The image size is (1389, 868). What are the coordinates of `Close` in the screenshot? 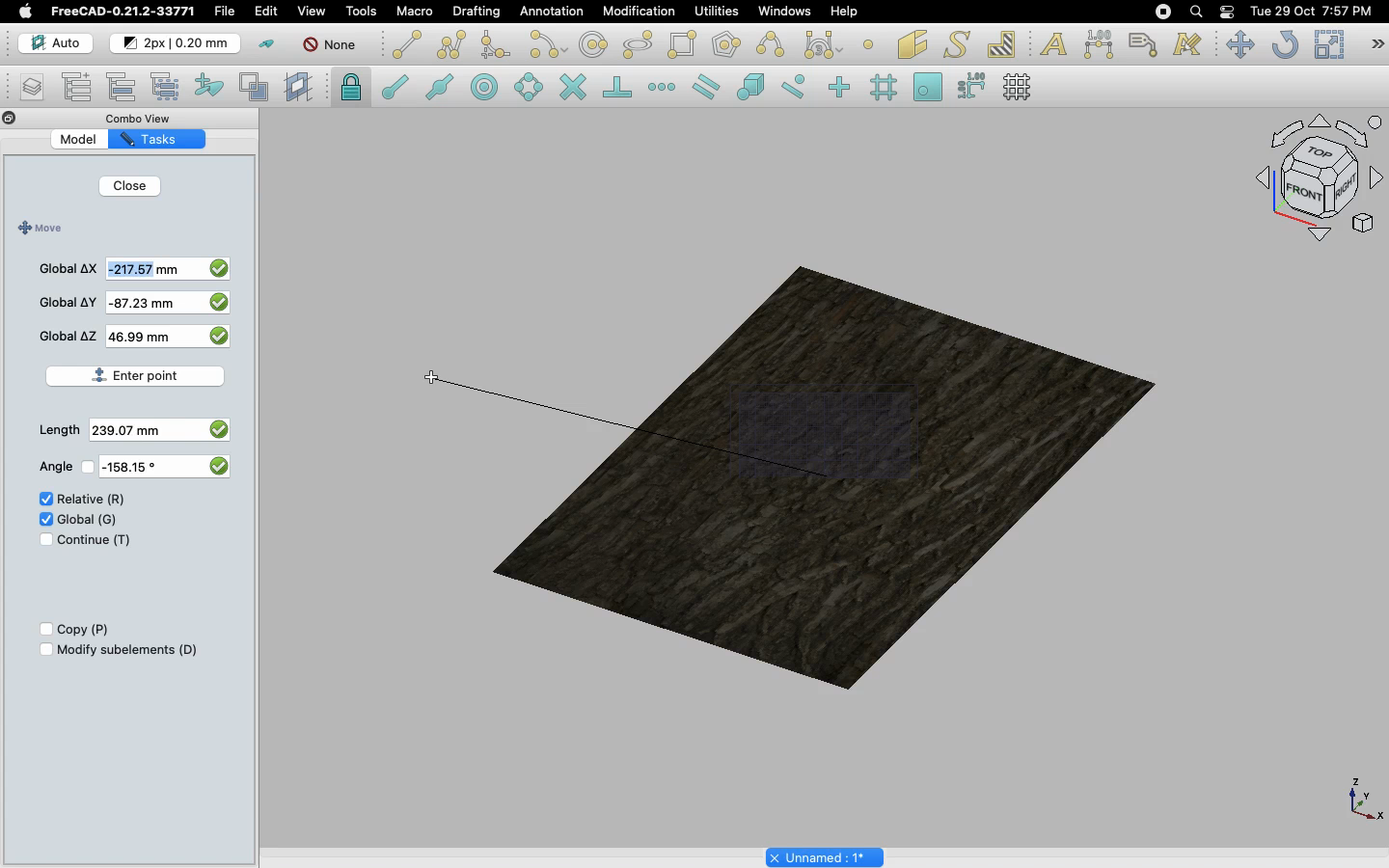 It's located at (10, 120).